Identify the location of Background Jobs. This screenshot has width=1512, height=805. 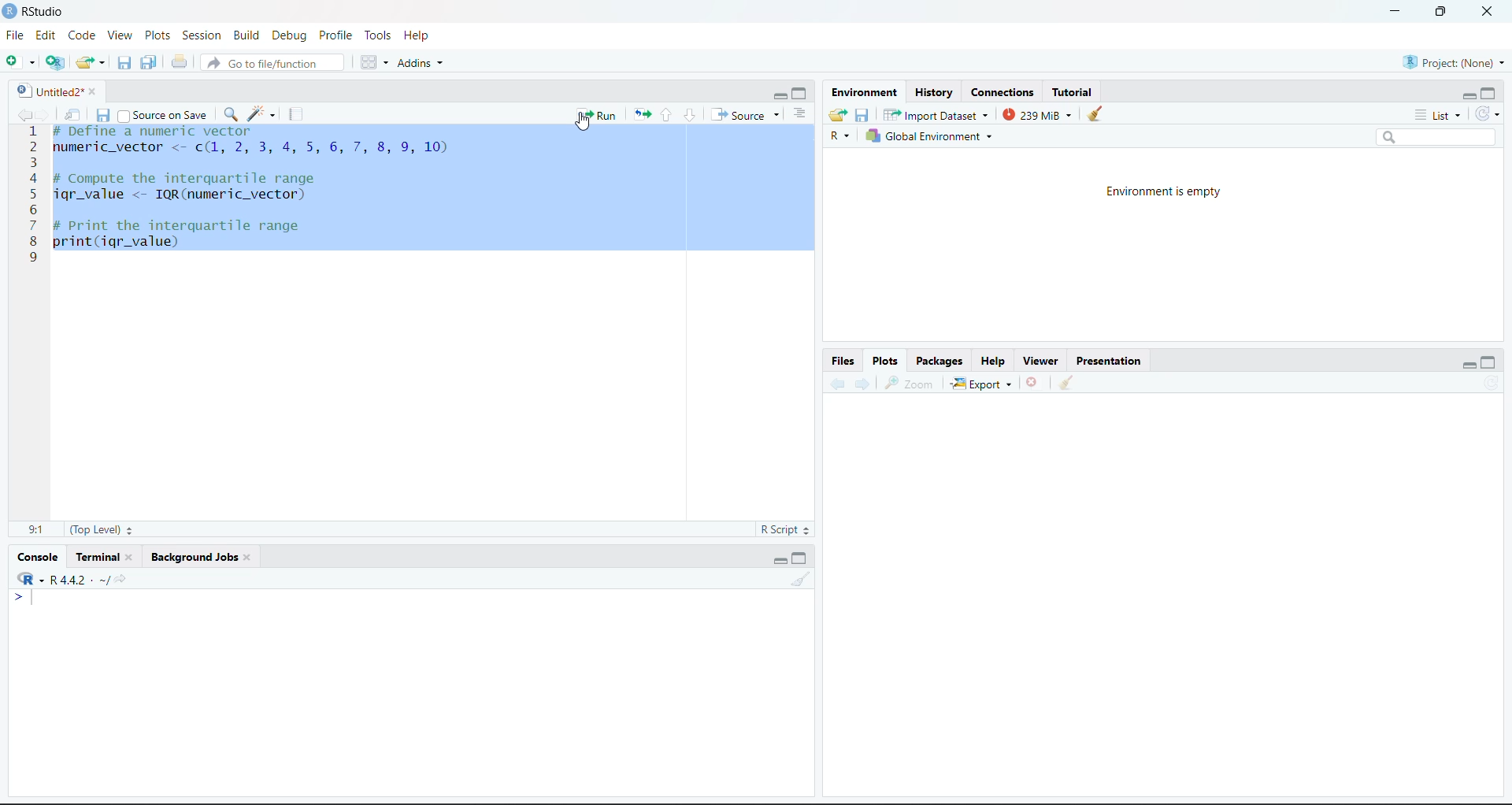
(195, 556).